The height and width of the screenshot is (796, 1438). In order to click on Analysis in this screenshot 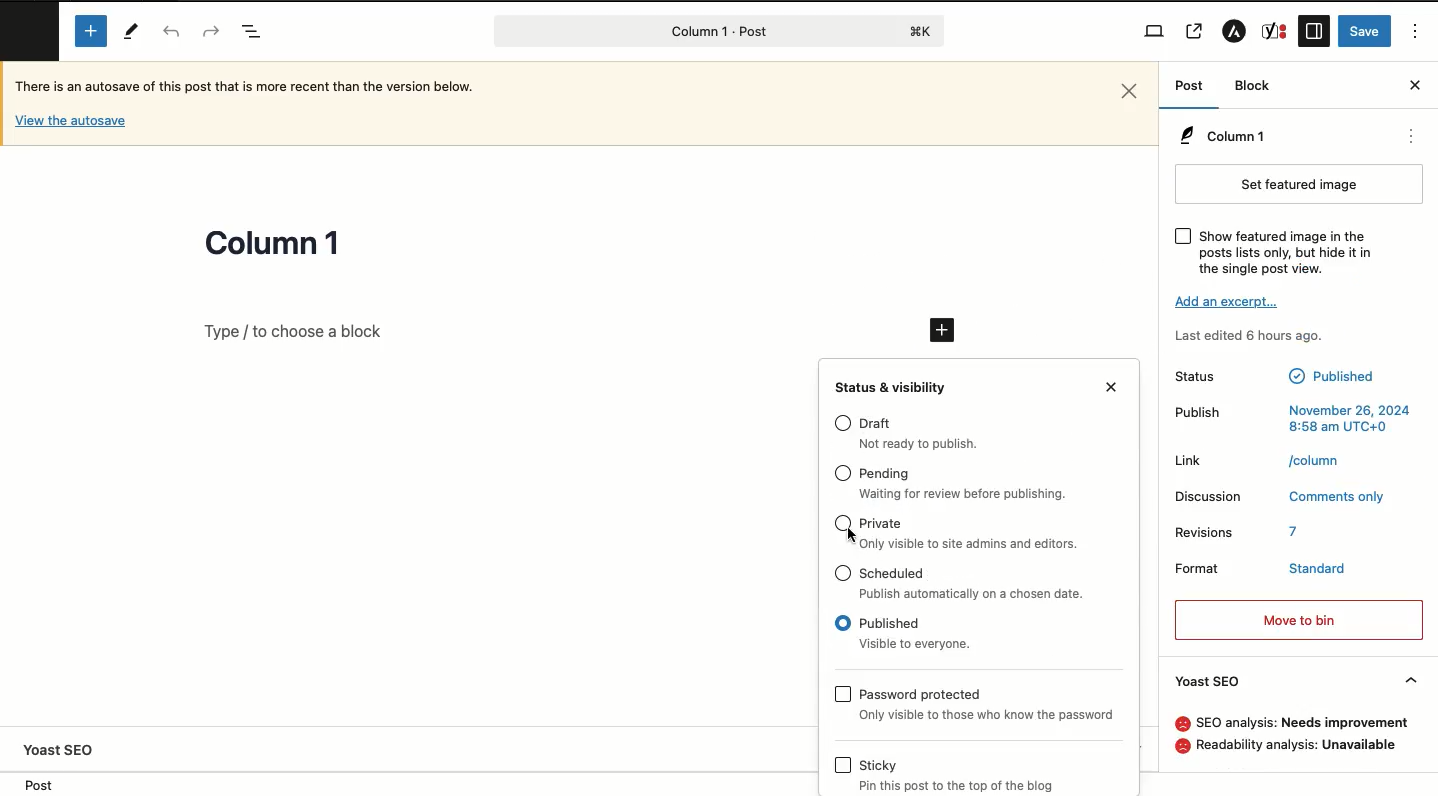, I will do `click(1303, 722)`.